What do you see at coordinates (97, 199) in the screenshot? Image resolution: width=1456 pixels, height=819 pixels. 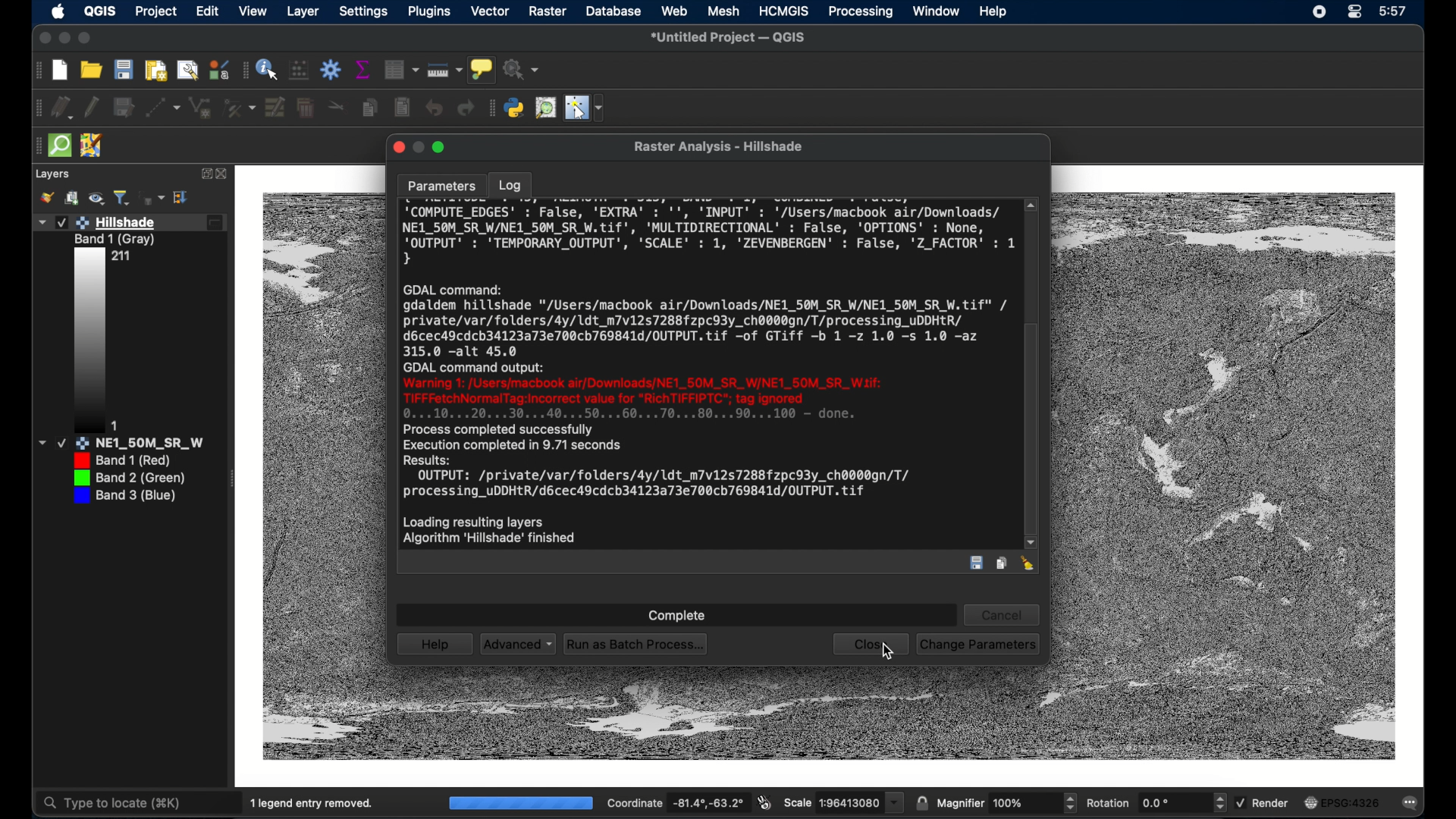 I see `manage map theme` at bounding box center [97, 199].